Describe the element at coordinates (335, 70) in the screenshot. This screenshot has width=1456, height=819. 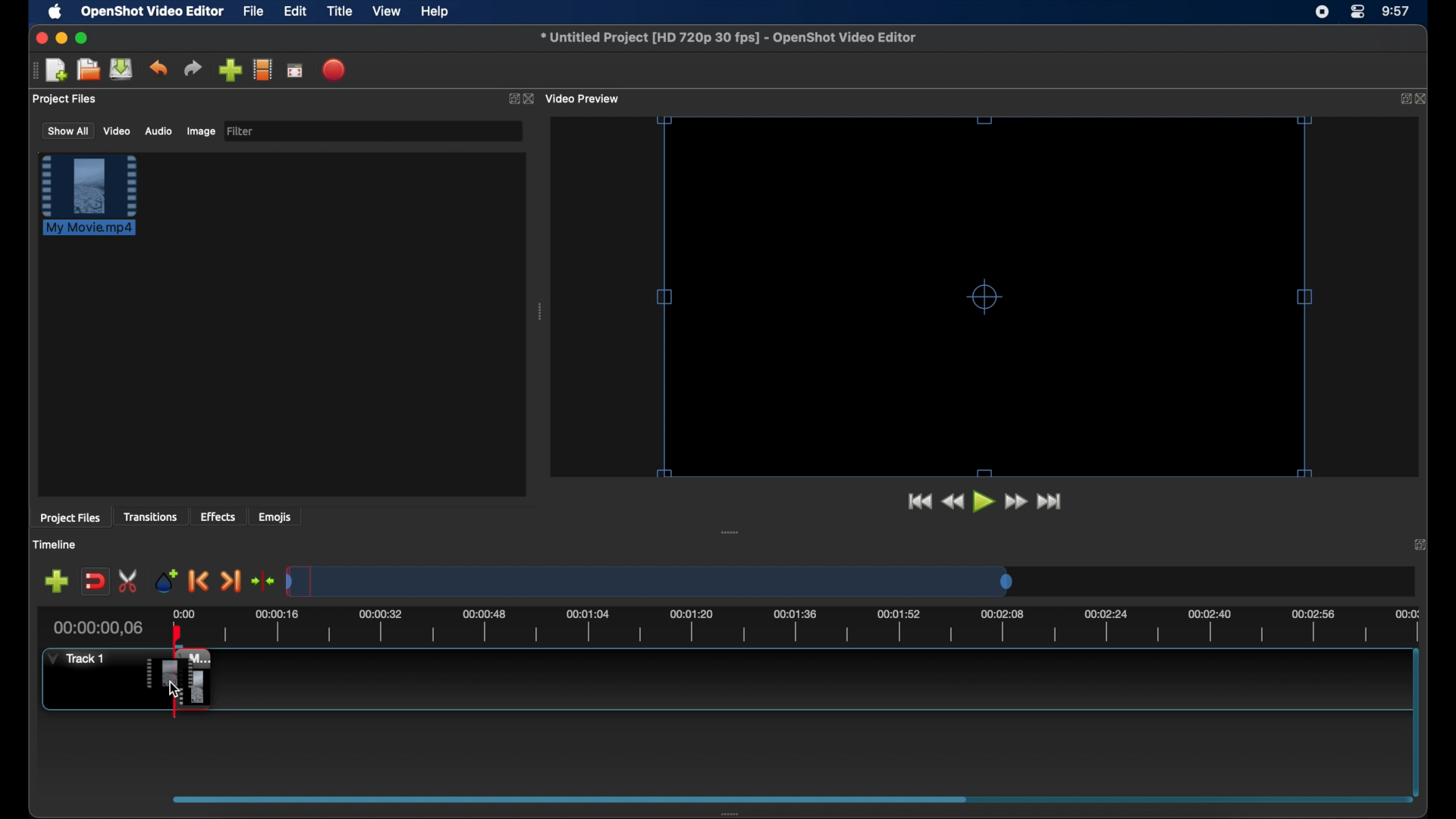
I see `export video` at that location.